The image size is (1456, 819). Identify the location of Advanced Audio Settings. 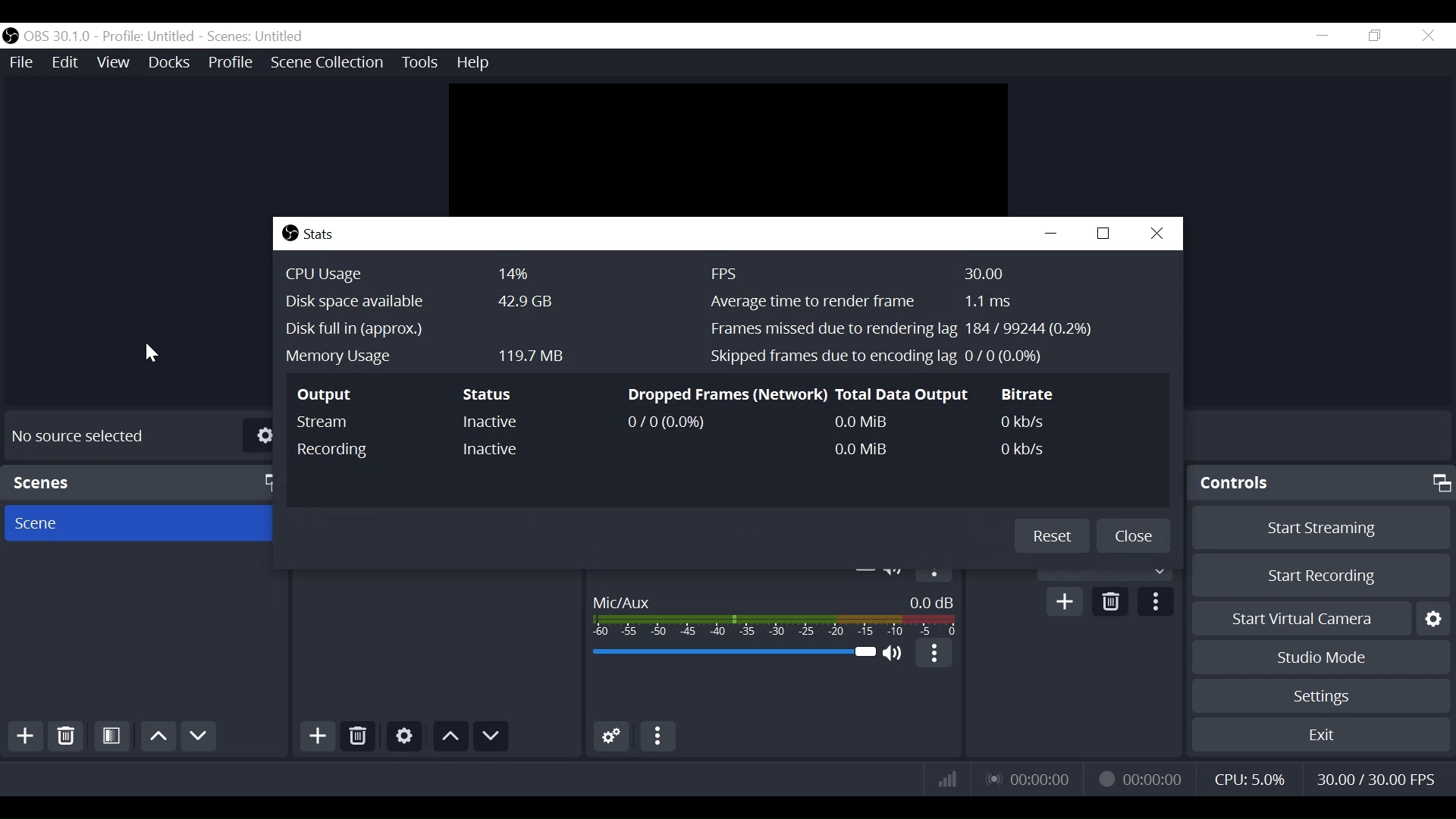
(611, 736).